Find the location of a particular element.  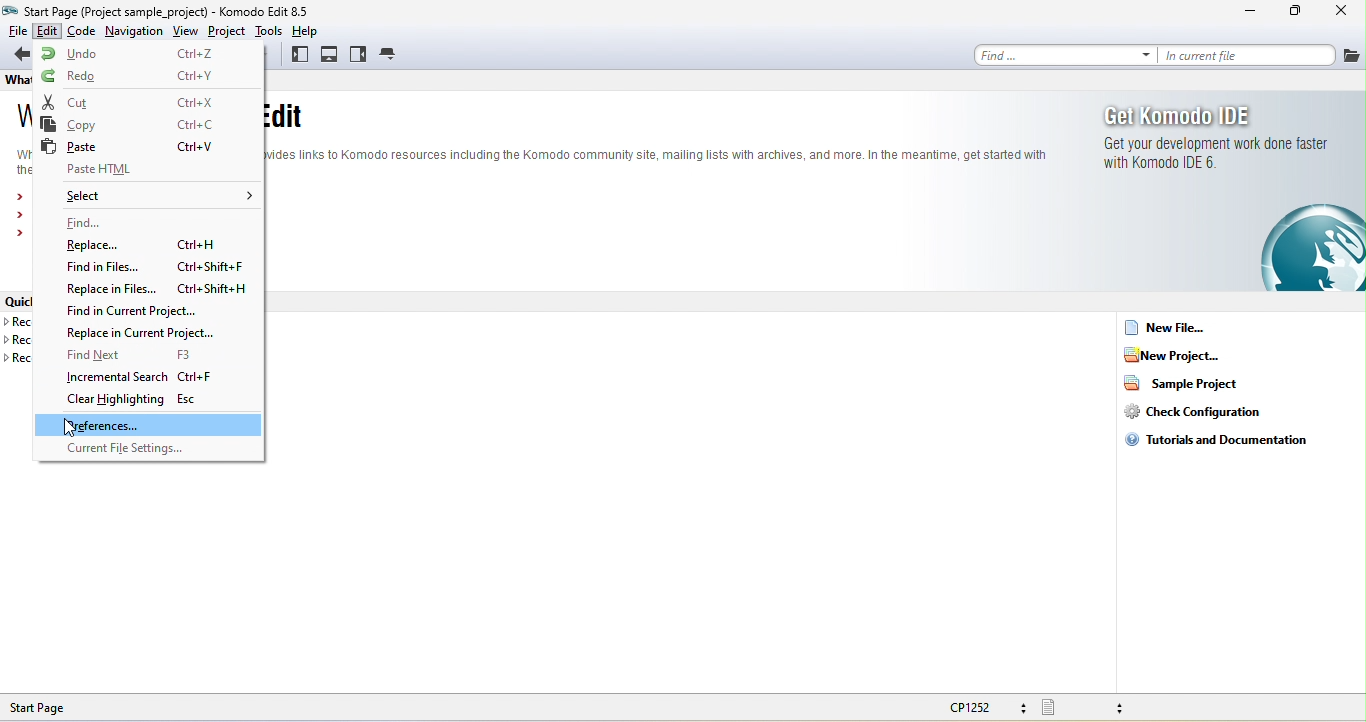

replace in files is located at coordinates (162, 289).